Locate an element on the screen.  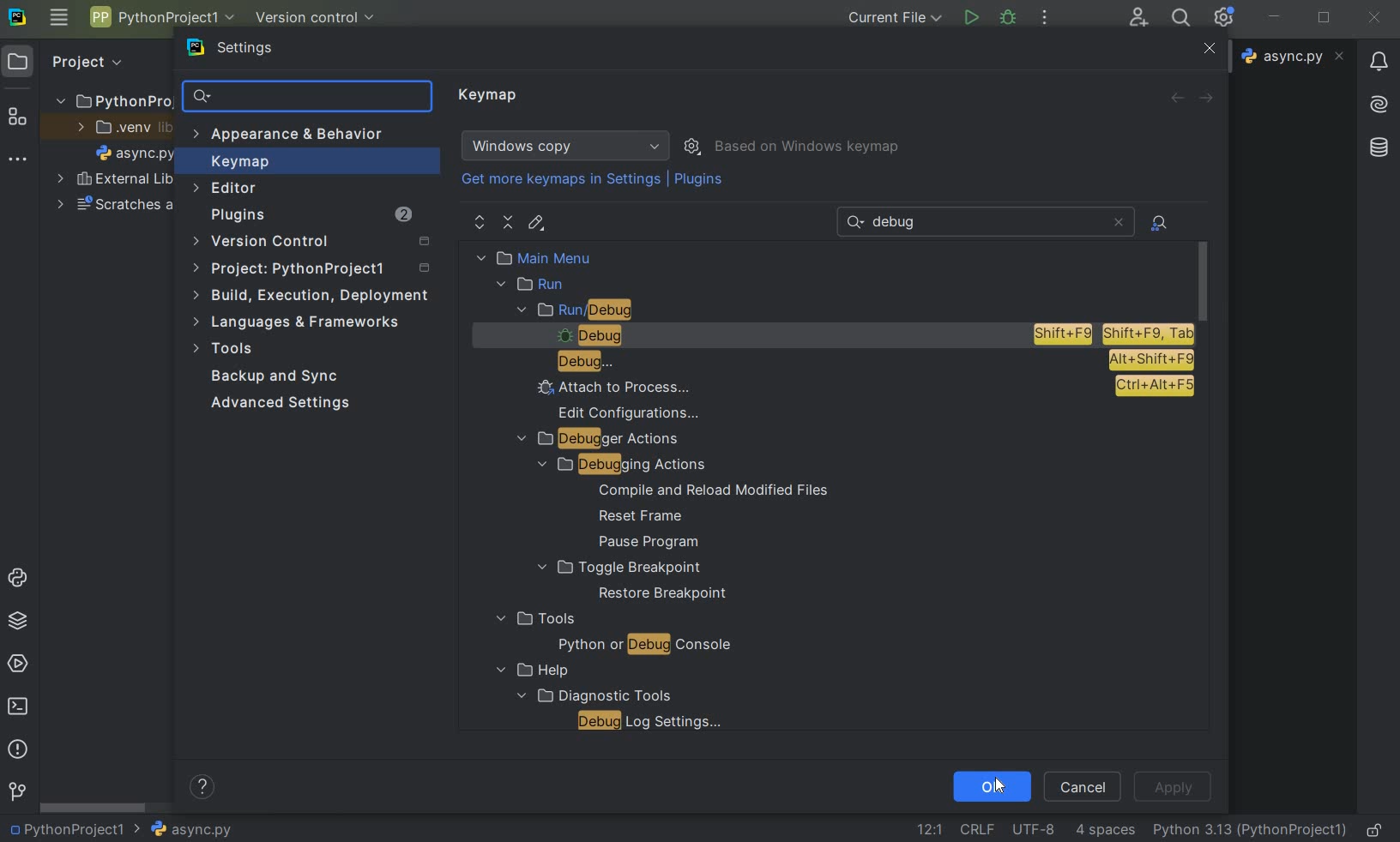
diagnostic tools is located at coordinates (592, 695).